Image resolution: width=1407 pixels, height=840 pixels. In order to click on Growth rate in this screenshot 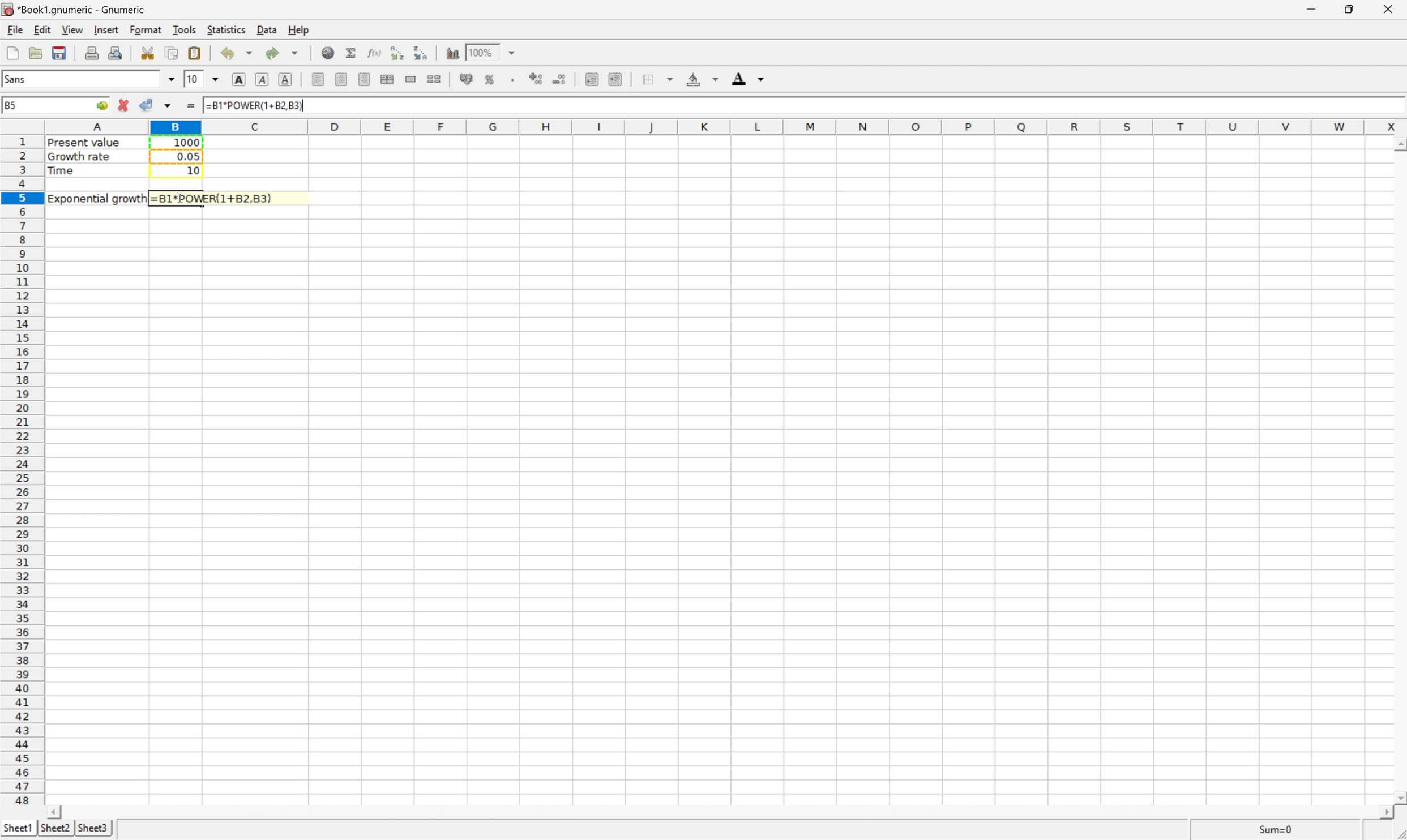, I will do `click(81, 156)`.